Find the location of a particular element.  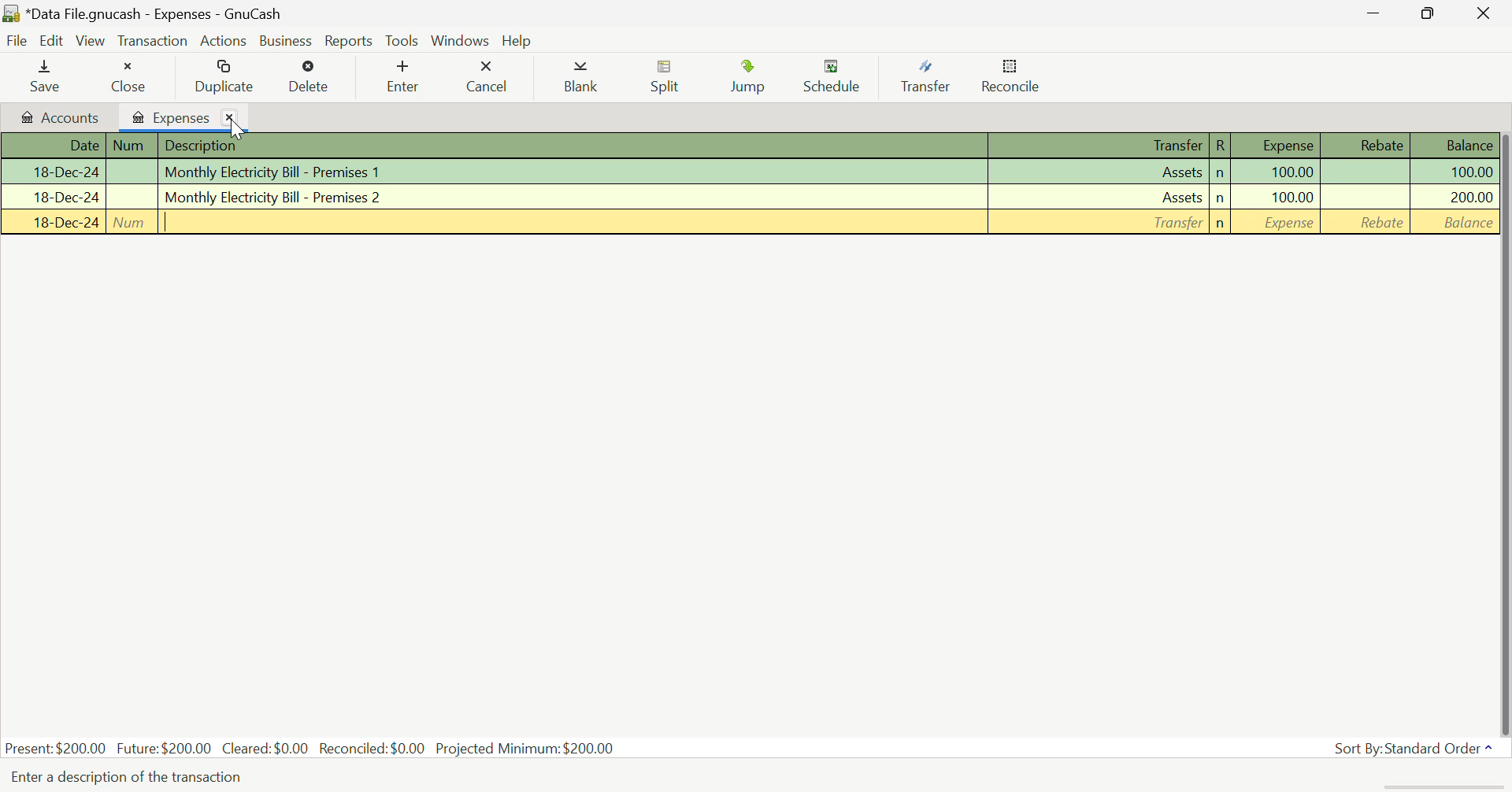

Edit is located at coordinates (52, 41).